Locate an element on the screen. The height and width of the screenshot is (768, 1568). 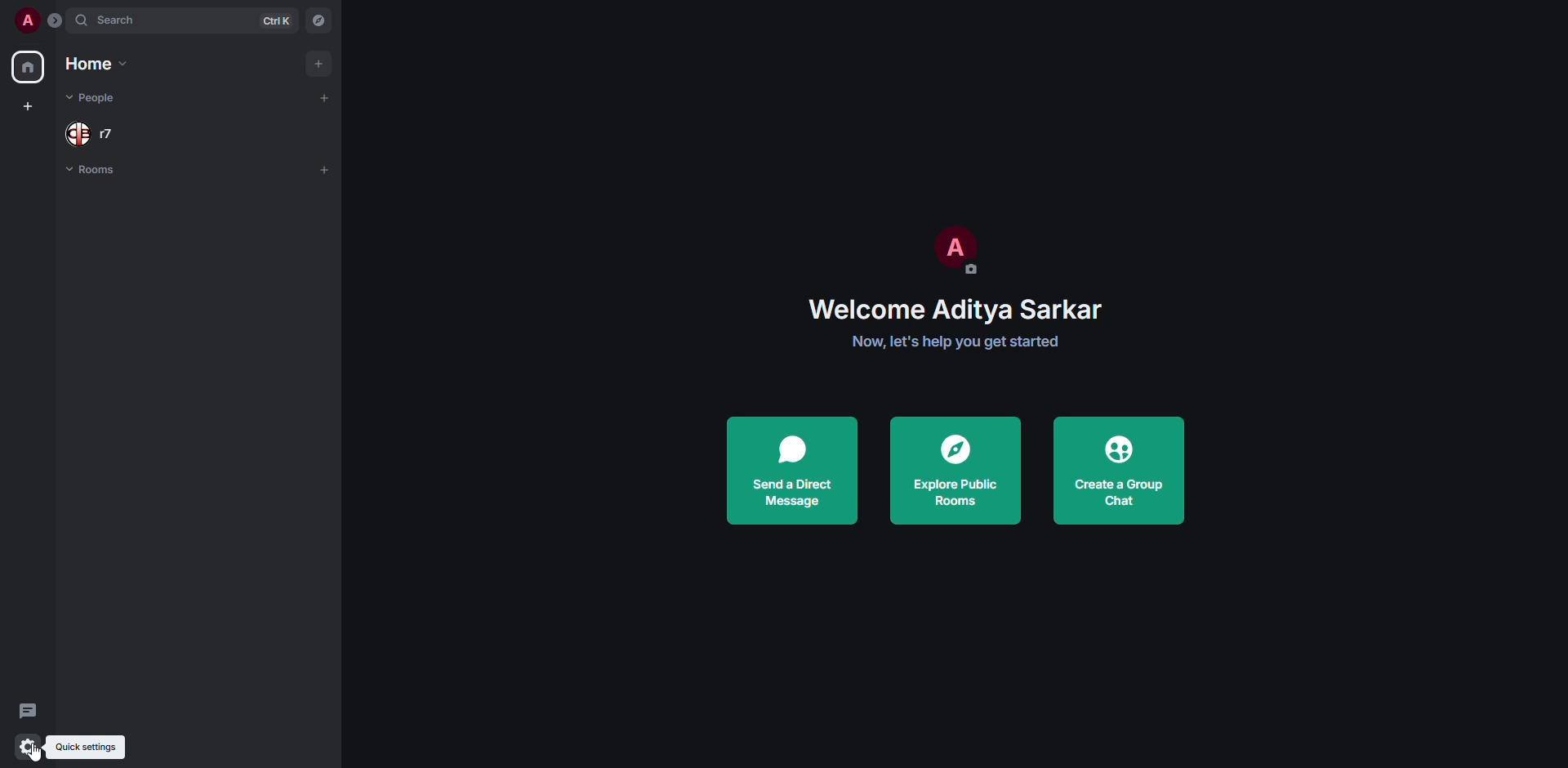
create a group chat is located at coordinates (1118, 471).